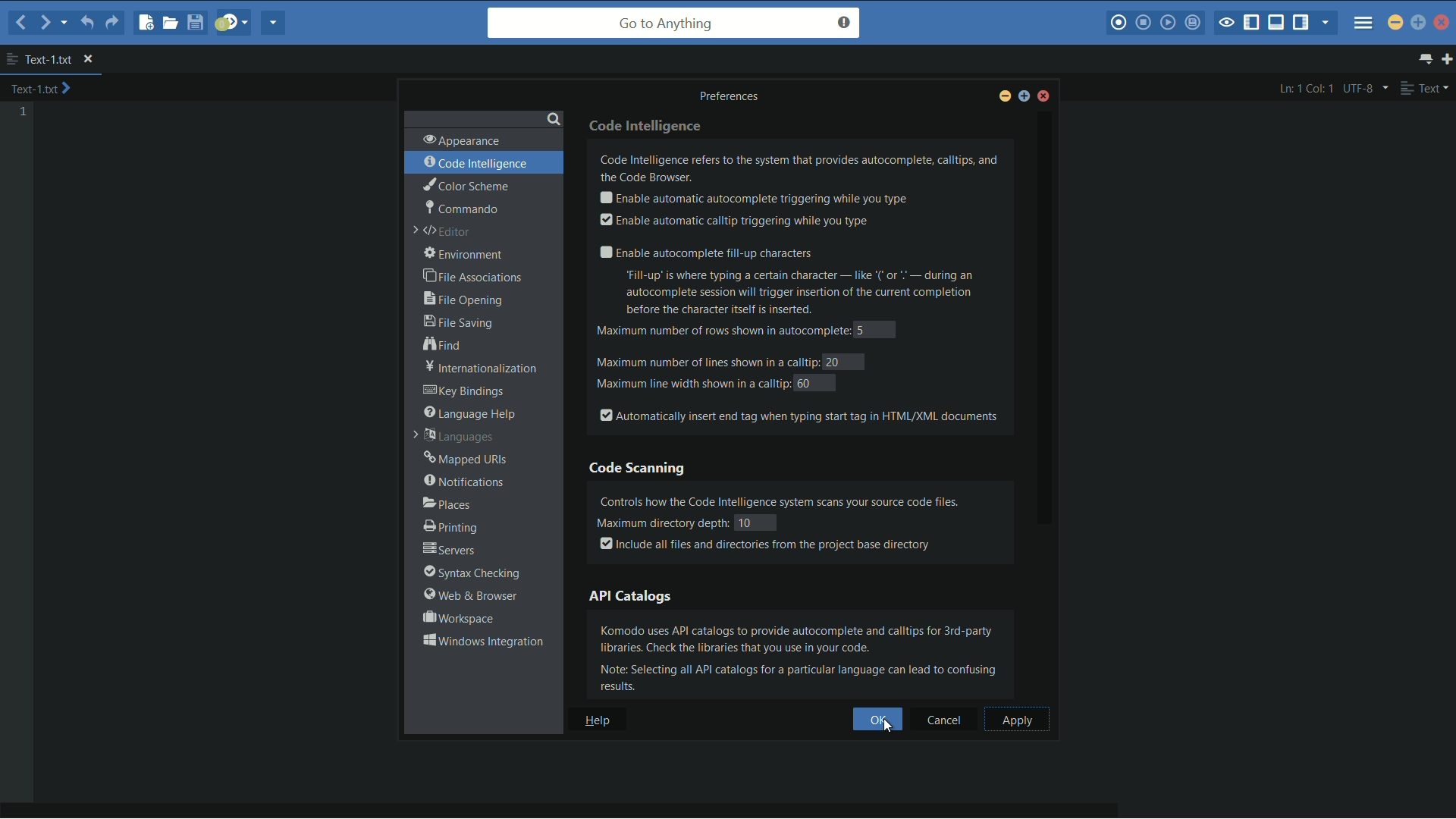  What do you see at coordinates (755, 522) in the screenshot?
I see `10` at bounding box center [755, 522].